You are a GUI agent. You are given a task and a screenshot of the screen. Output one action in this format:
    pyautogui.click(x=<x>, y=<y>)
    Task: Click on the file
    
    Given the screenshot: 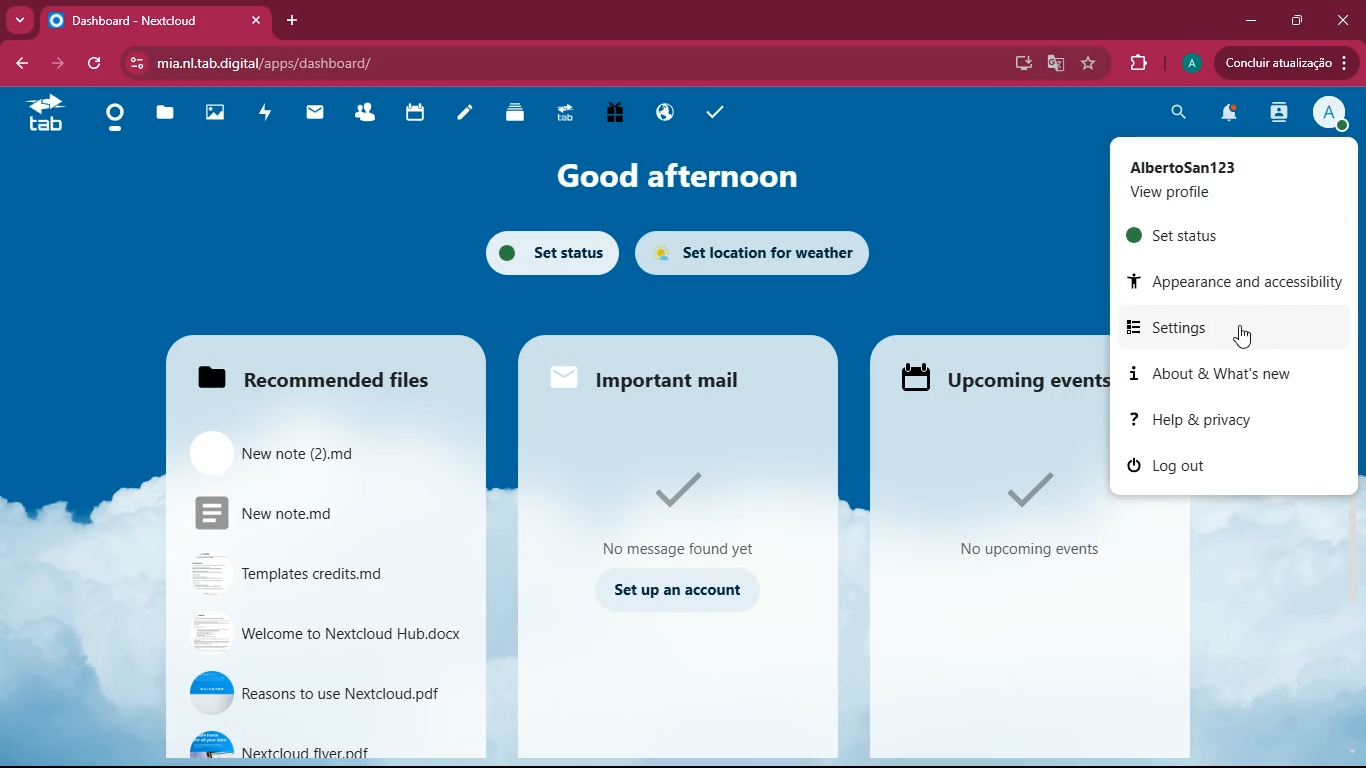 What is the action you would take?
    pyautogui.click(x=318, y=574)
    